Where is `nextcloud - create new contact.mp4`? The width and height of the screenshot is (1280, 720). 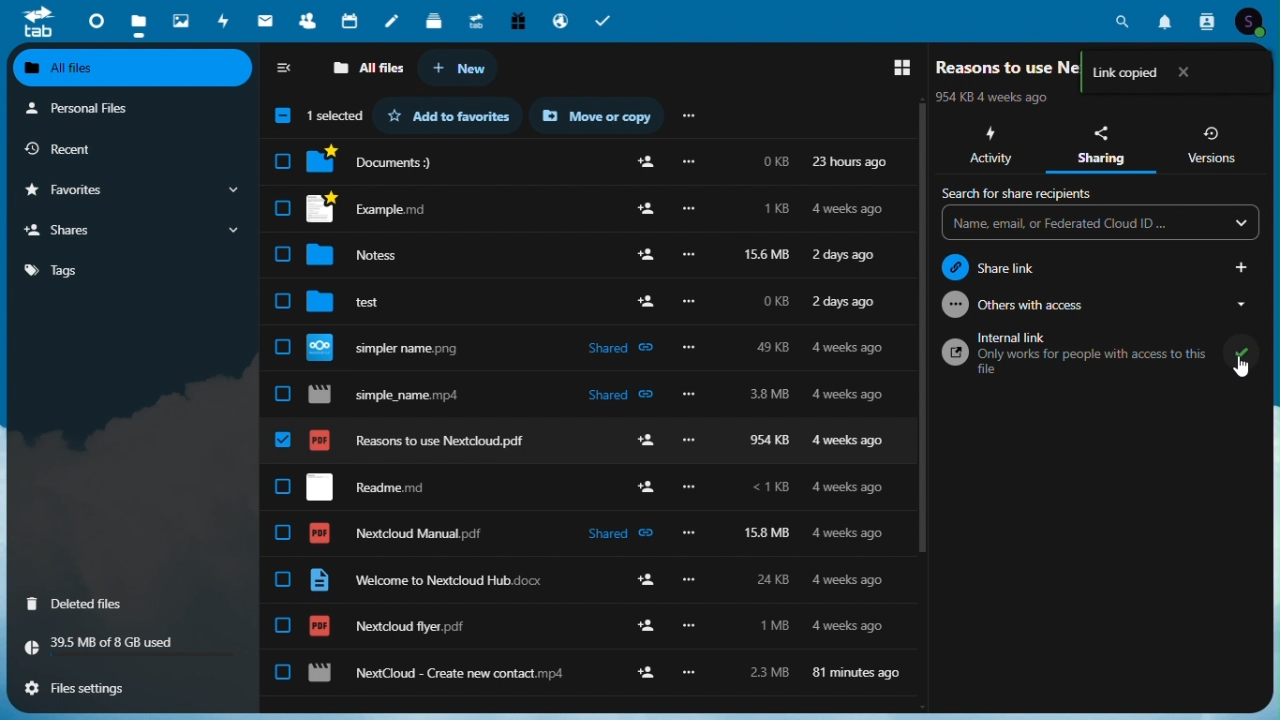 nextcloud - create new contact.mp4 is located at coordinates (437, 674).